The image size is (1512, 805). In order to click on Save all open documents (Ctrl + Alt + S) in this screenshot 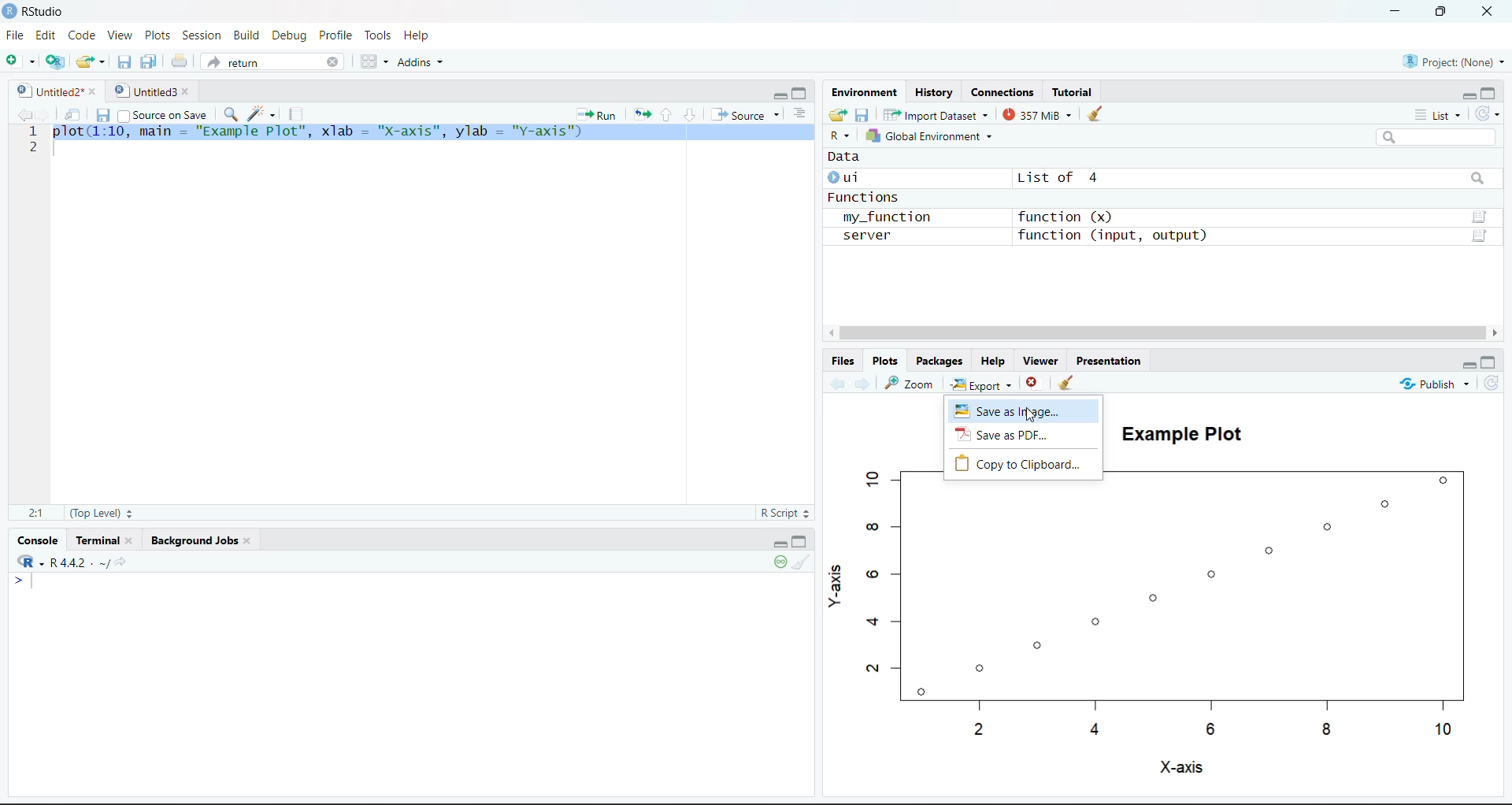, I will do `click(150, 63)`.